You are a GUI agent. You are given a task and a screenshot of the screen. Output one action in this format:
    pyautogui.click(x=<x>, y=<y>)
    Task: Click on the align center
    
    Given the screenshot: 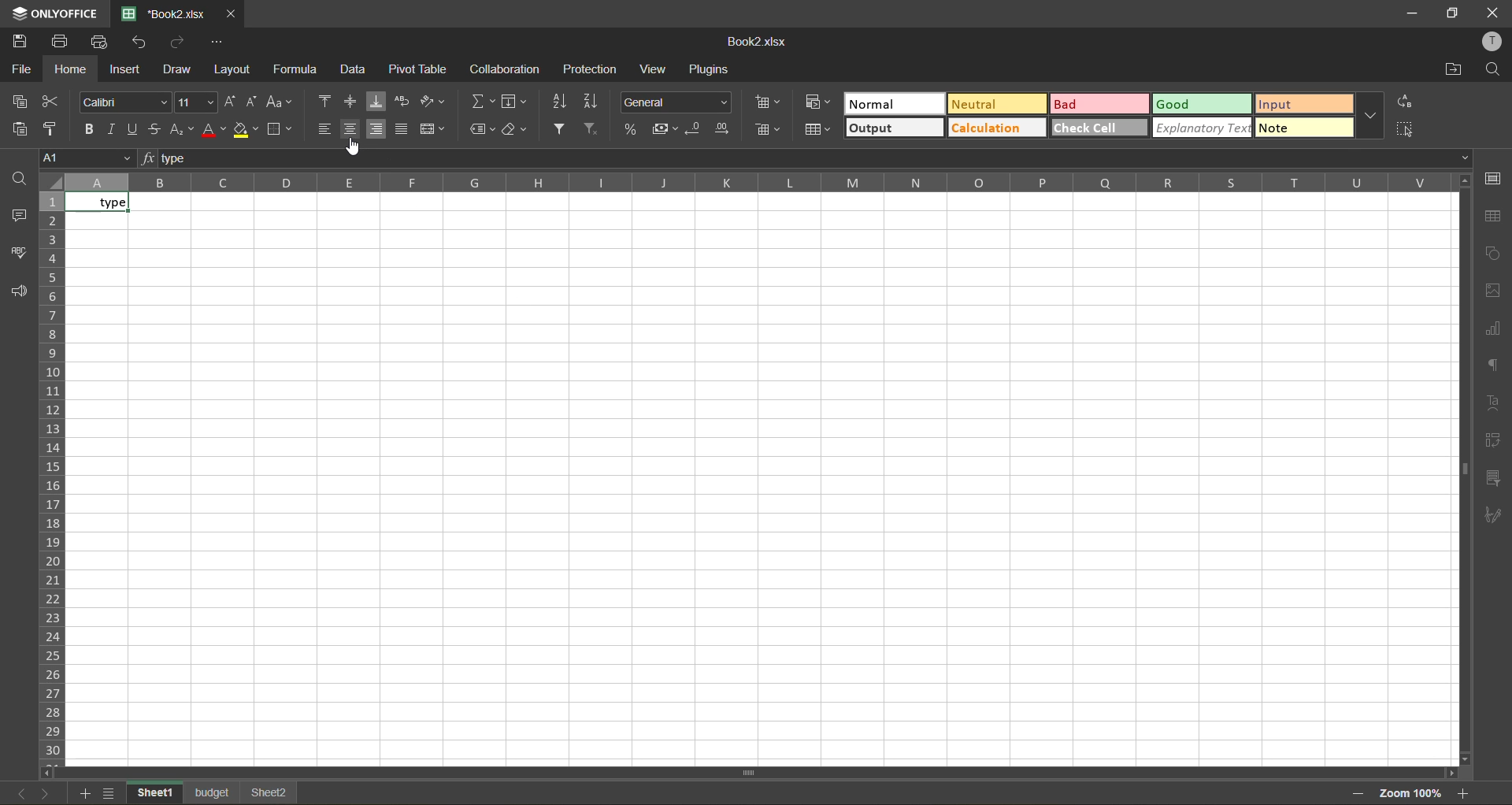 What is the action you would take?
    pyautogui.click(x=351, y=130)
    